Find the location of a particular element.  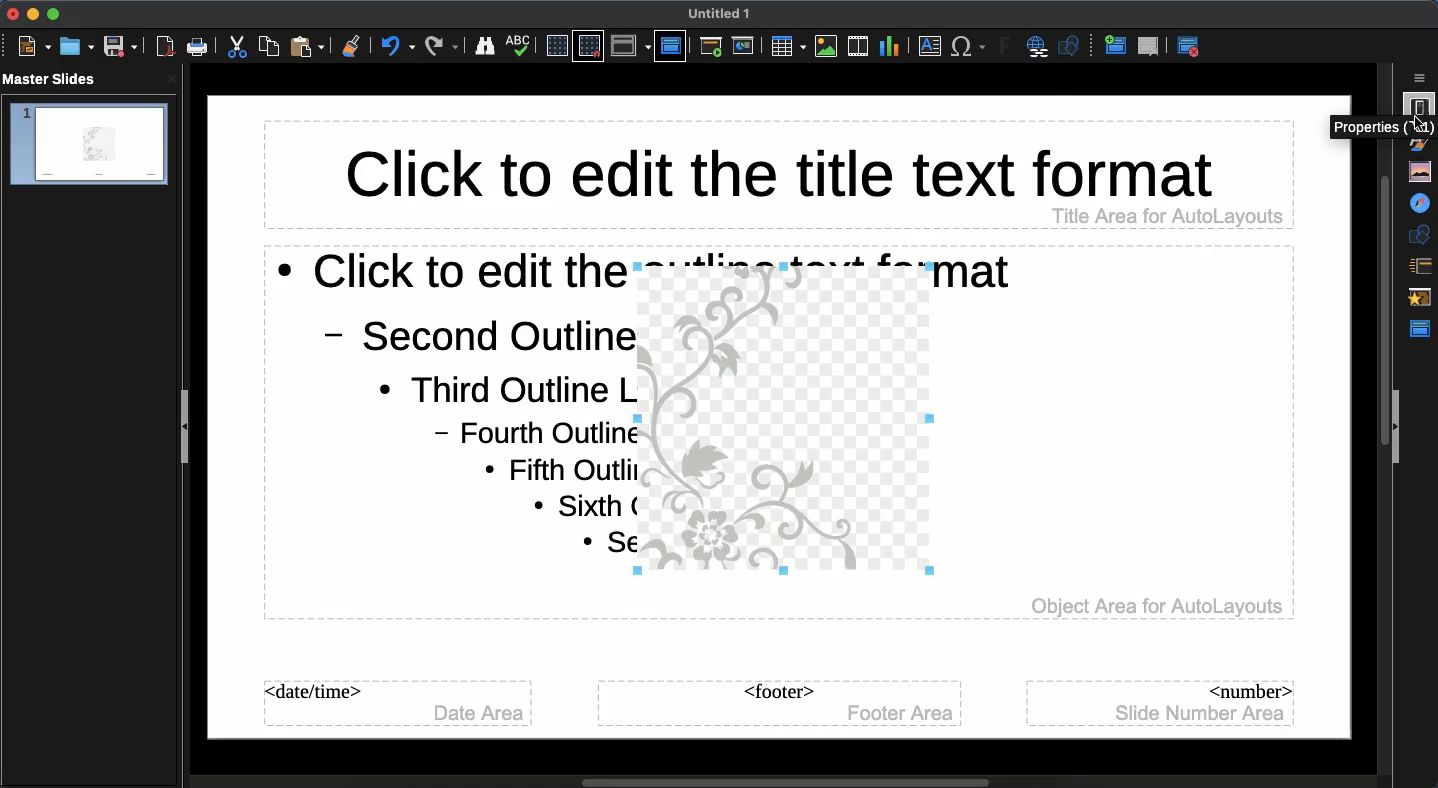

Undo is located at coordinates (397, 46).